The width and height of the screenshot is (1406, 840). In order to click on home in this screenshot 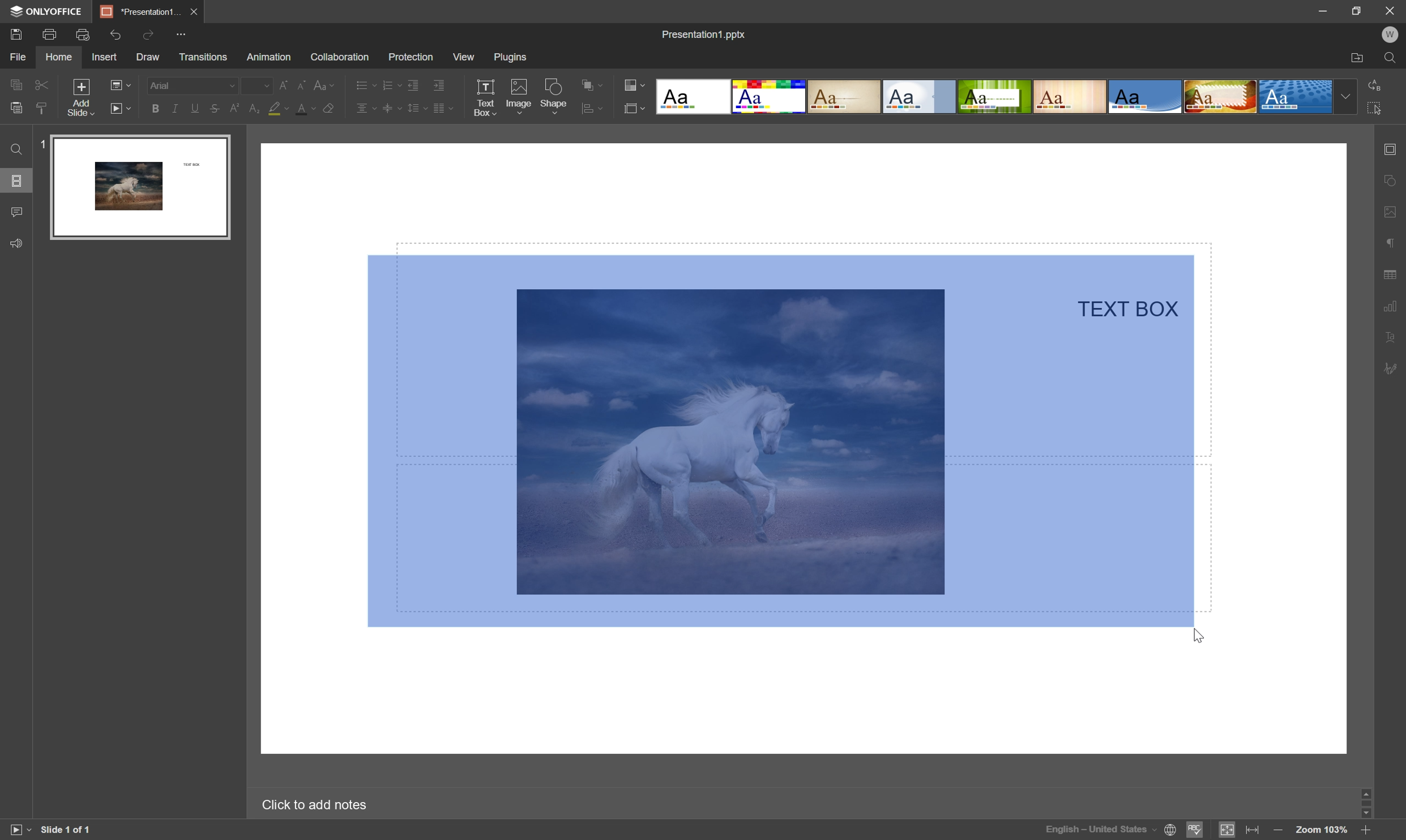, I will do `click(58, 58)`.